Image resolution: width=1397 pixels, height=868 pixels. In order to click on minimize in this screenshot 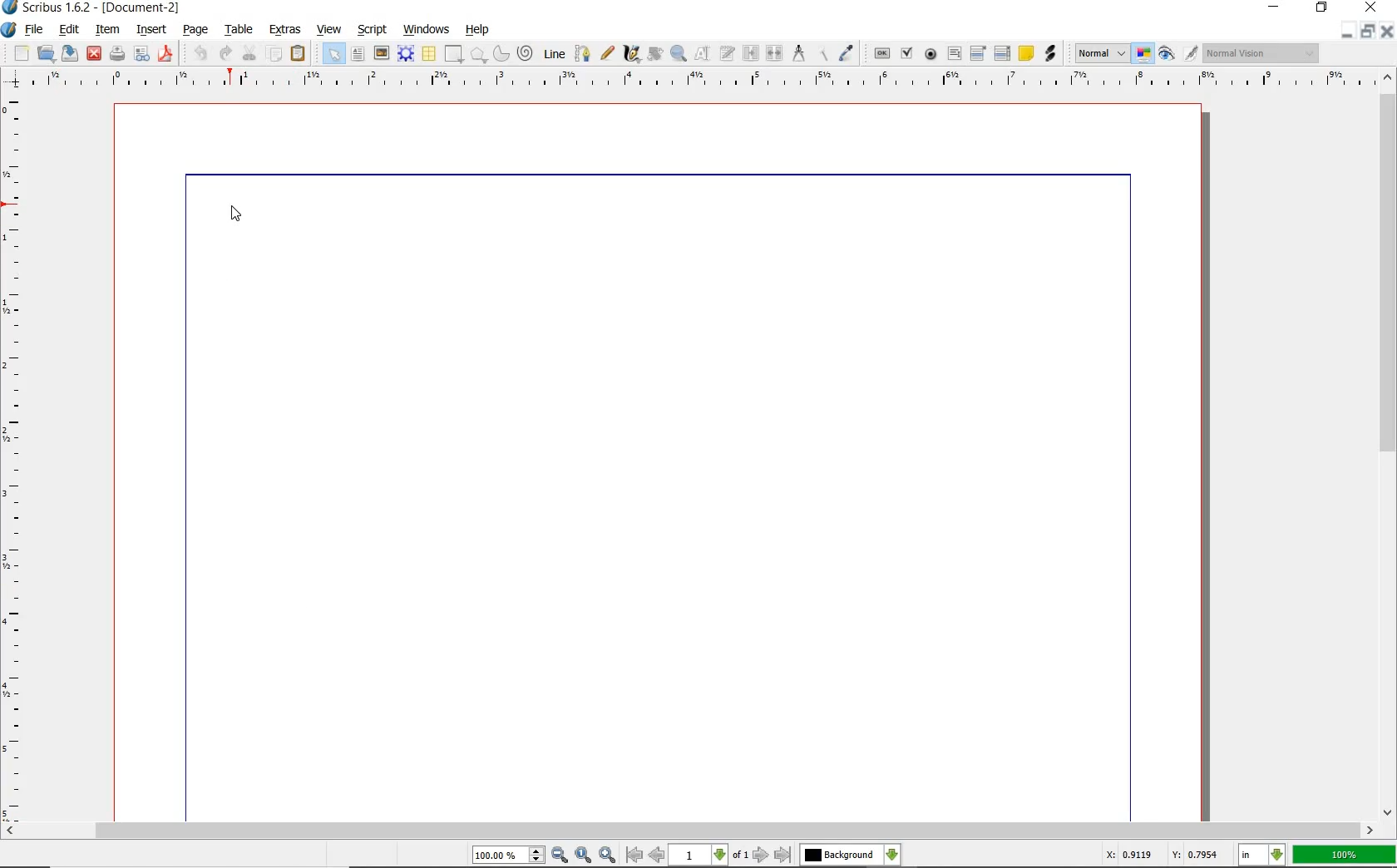, I will do `click(1347, 31)`.